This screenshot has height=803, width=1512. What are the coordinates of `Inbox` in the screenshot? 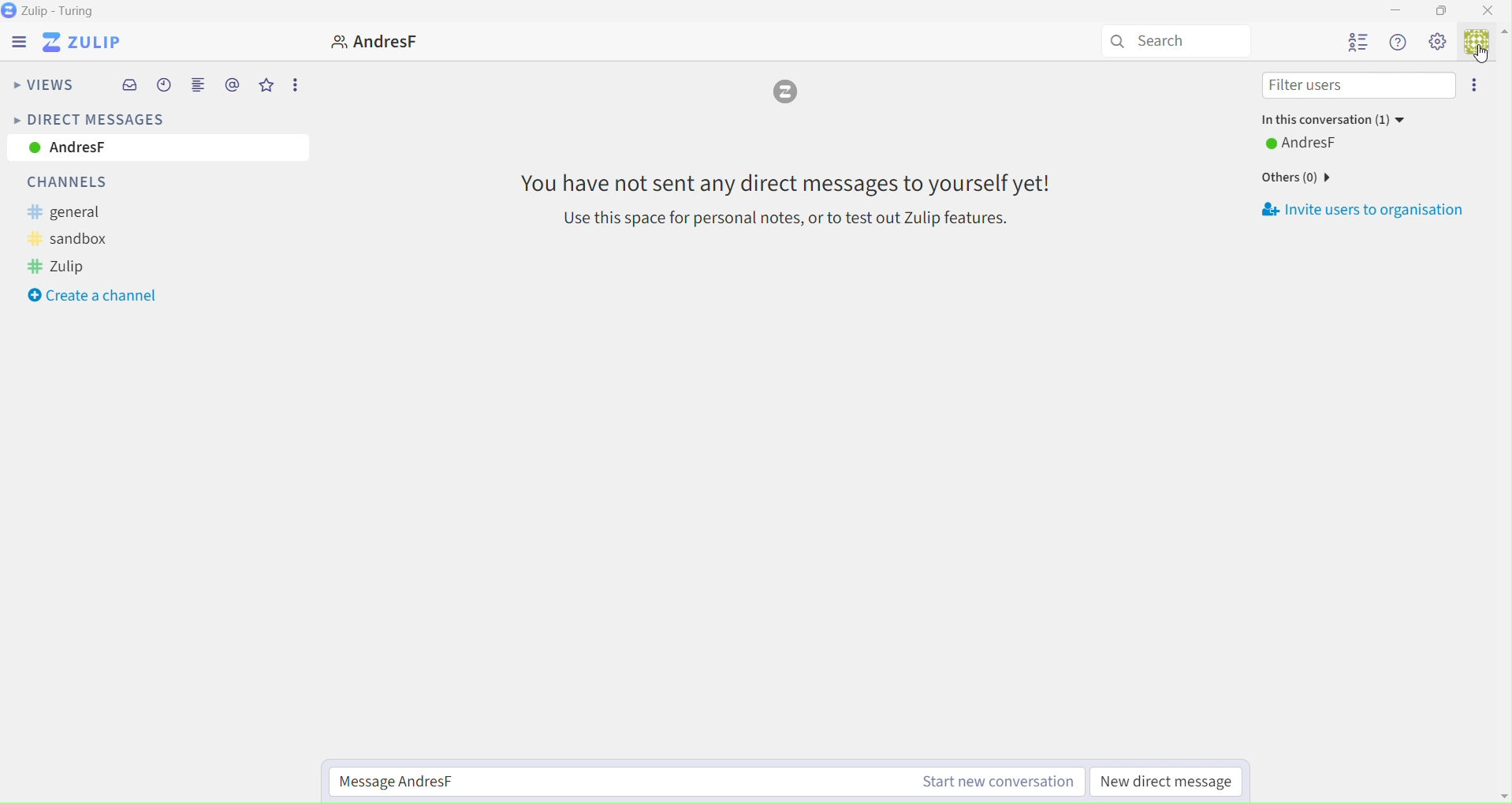 It's located at (132, 86).